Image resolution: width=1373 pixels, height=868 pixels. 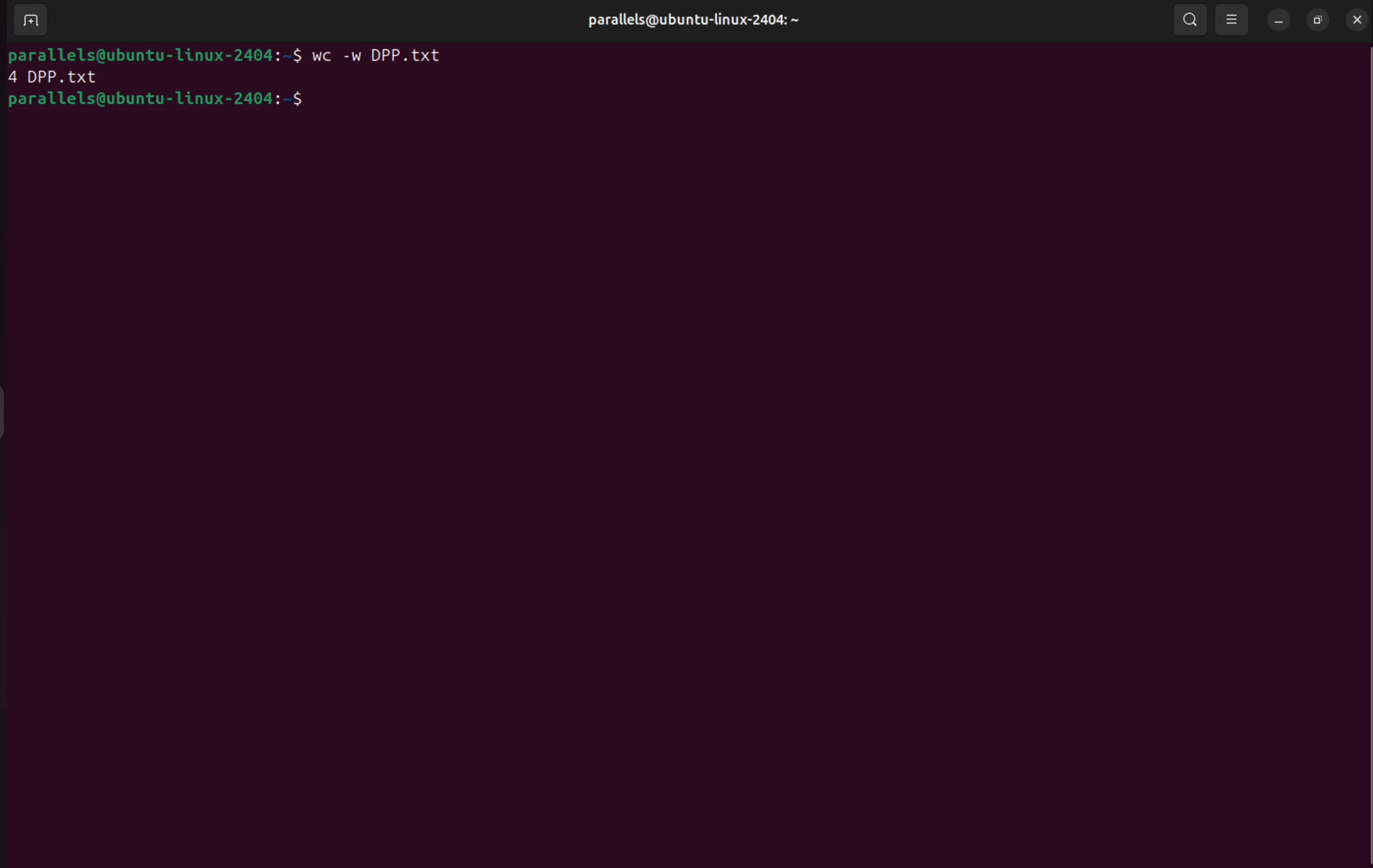 I want to click on close, so click(x=1359, y=19).